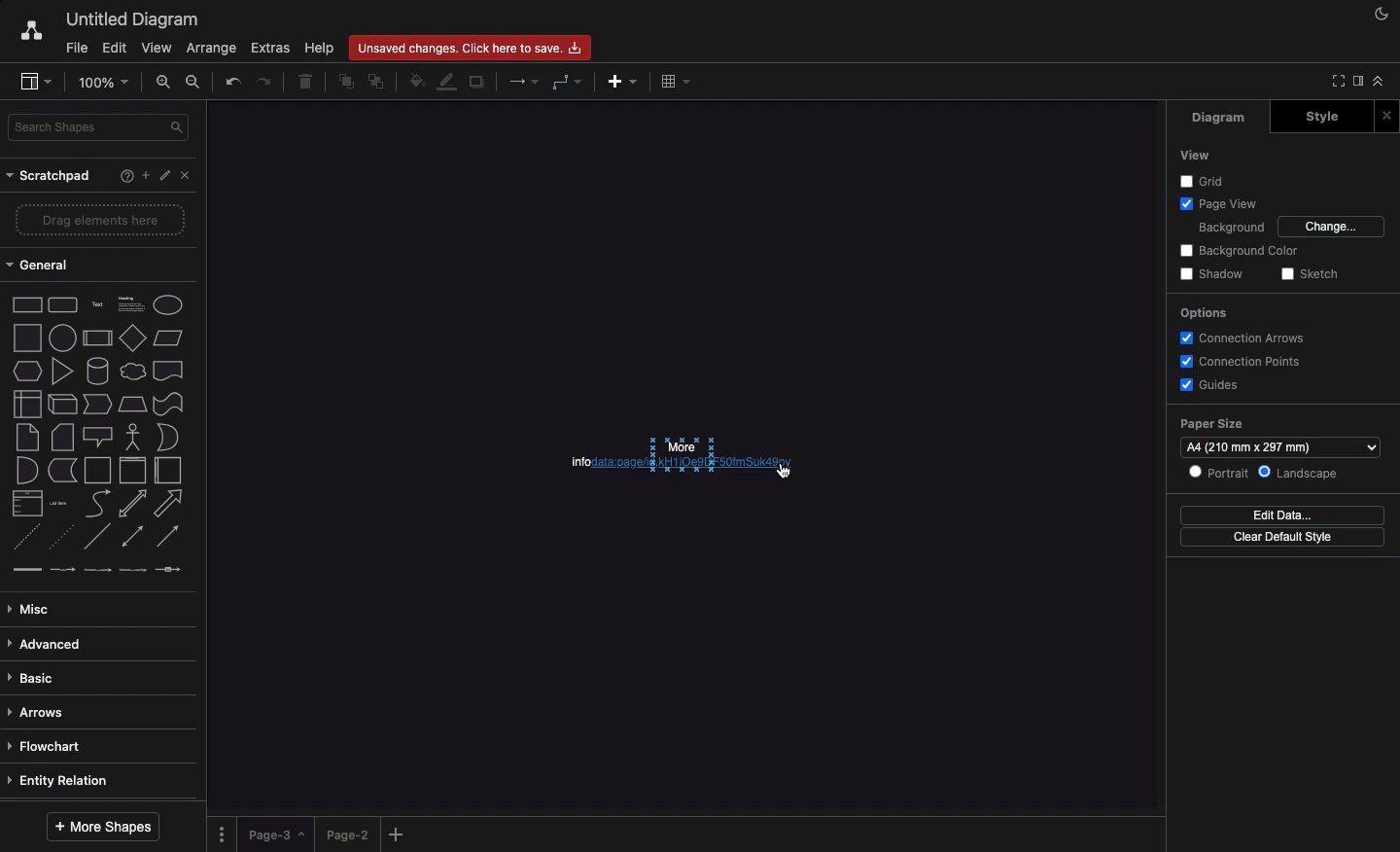  I want to click on Heading, so click(133, 302).